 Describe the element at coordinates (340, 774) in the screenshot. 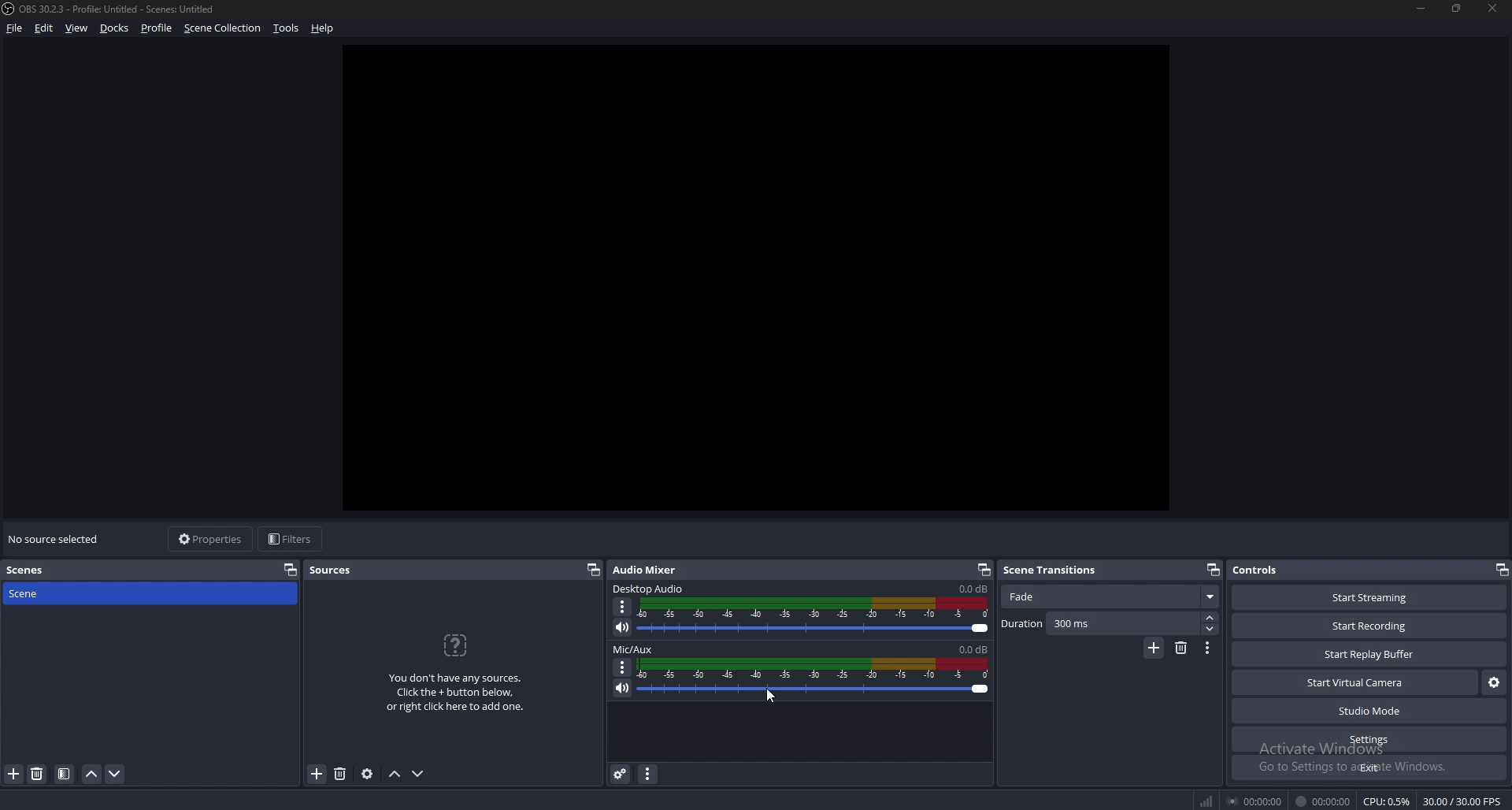

I see `remove source` at that location.